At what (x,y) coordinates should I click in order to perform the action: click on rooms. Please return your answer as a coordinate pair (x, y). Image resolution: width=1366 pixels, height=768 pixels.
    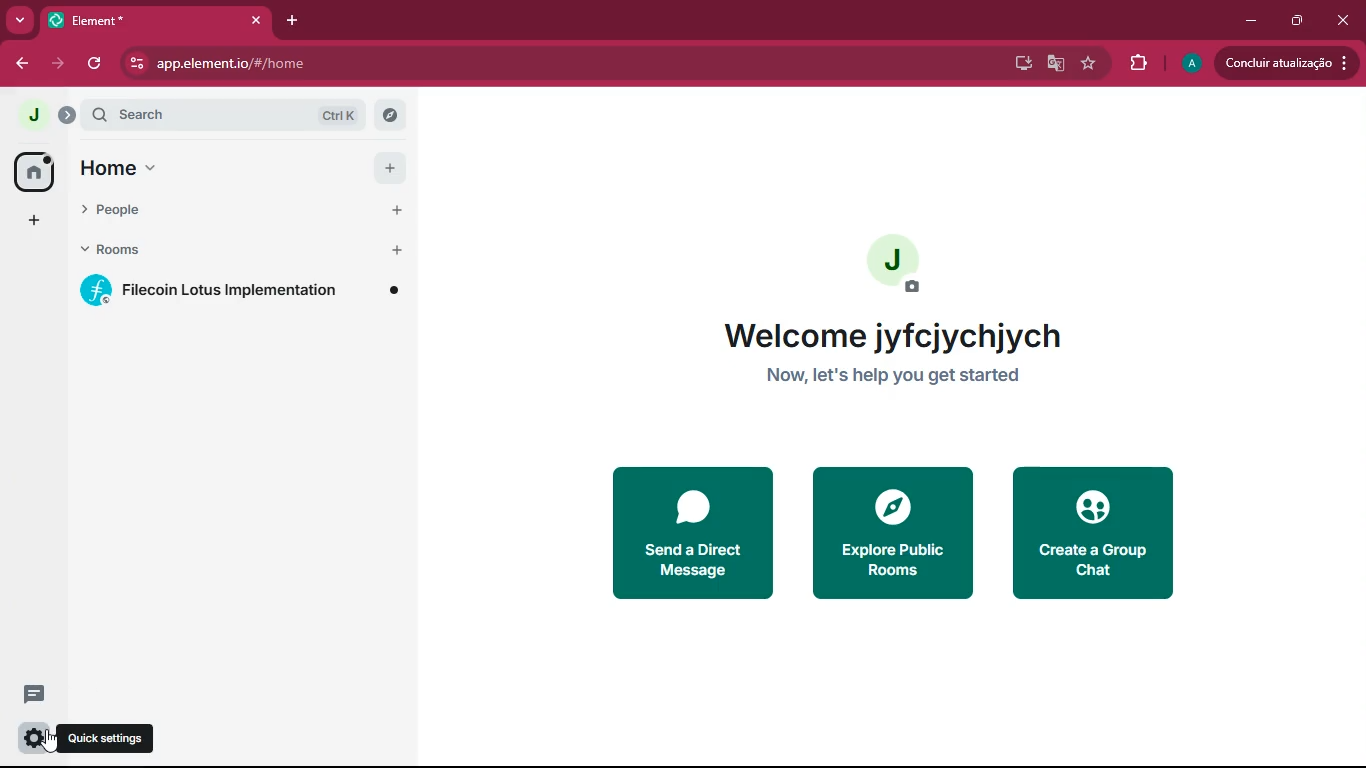
    Looking at the image, I should click on (194, 253).